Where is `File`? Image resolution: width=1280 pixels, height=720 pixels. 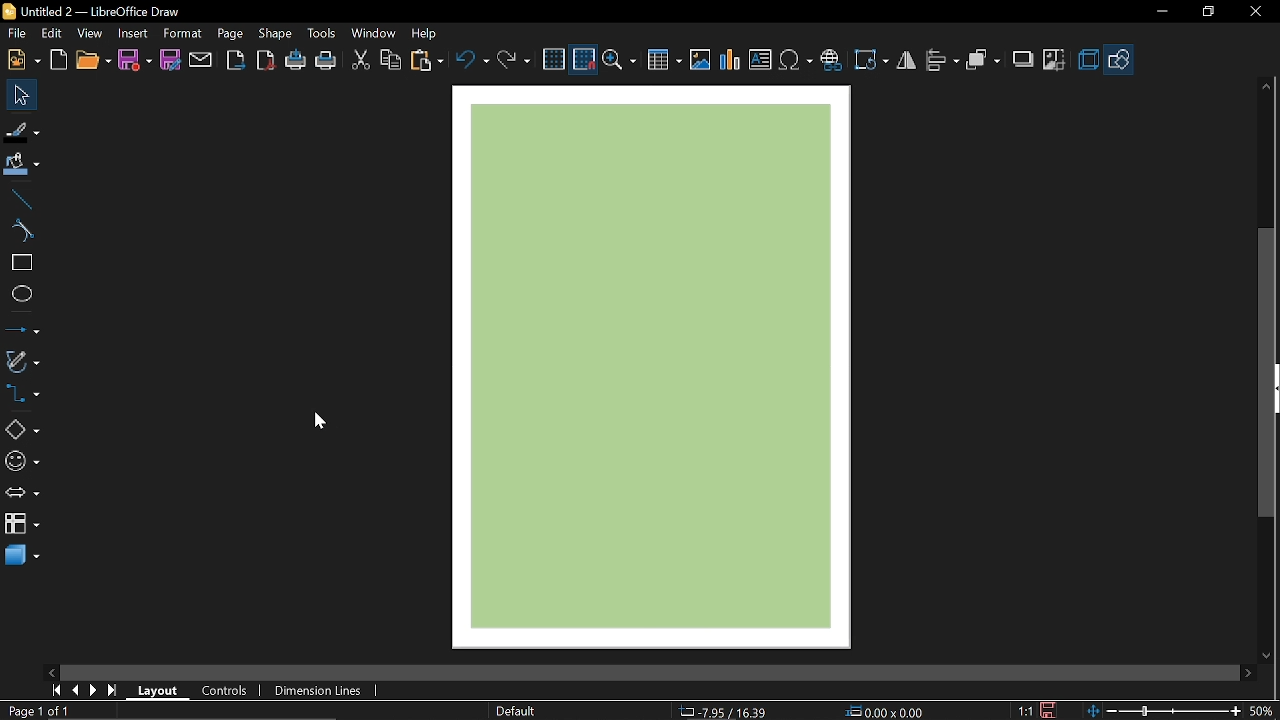
File is located at coordinates (18, 33).